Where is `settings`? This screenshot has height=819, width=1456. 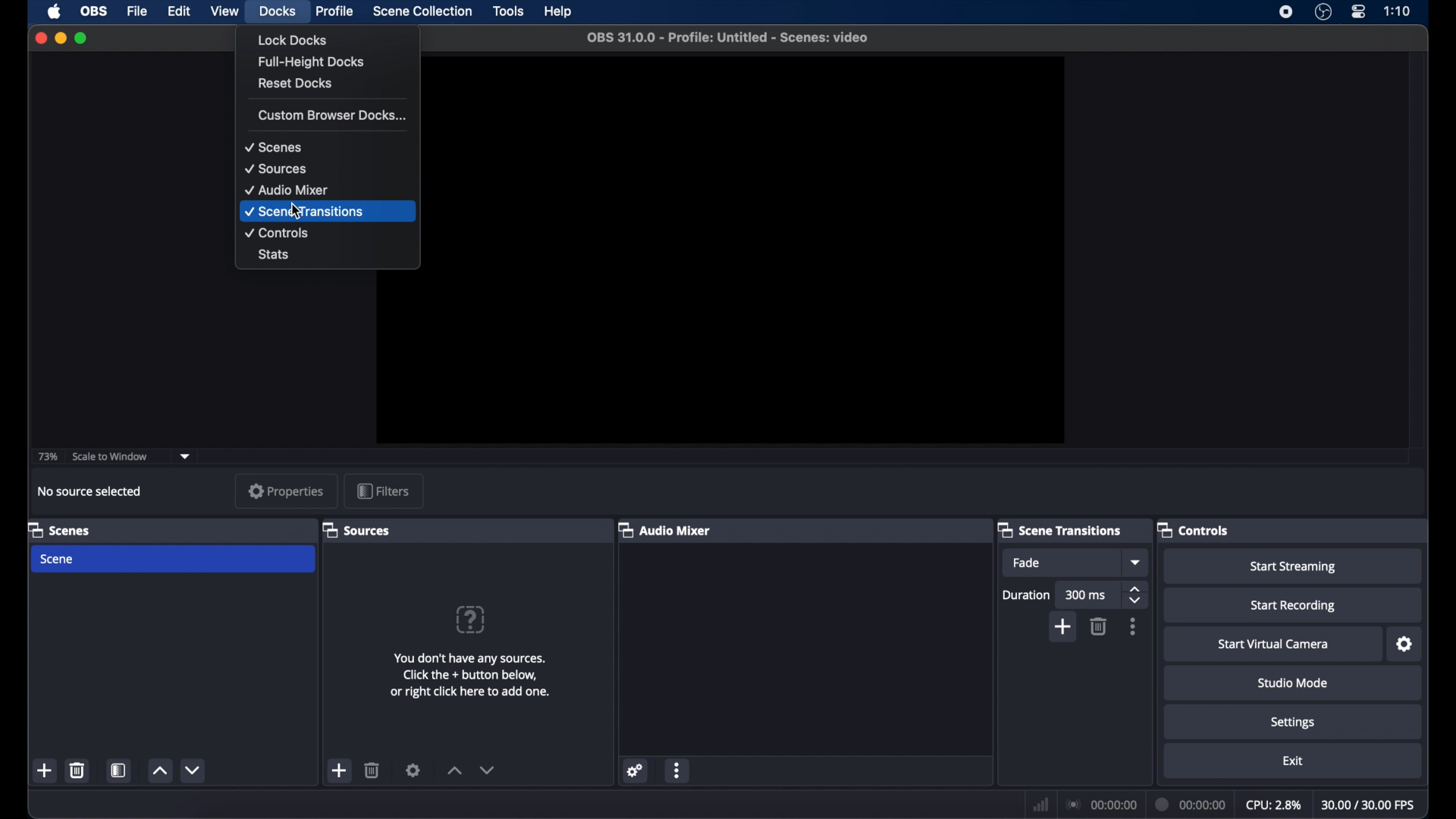
settings is located at coordinates (635, 770).